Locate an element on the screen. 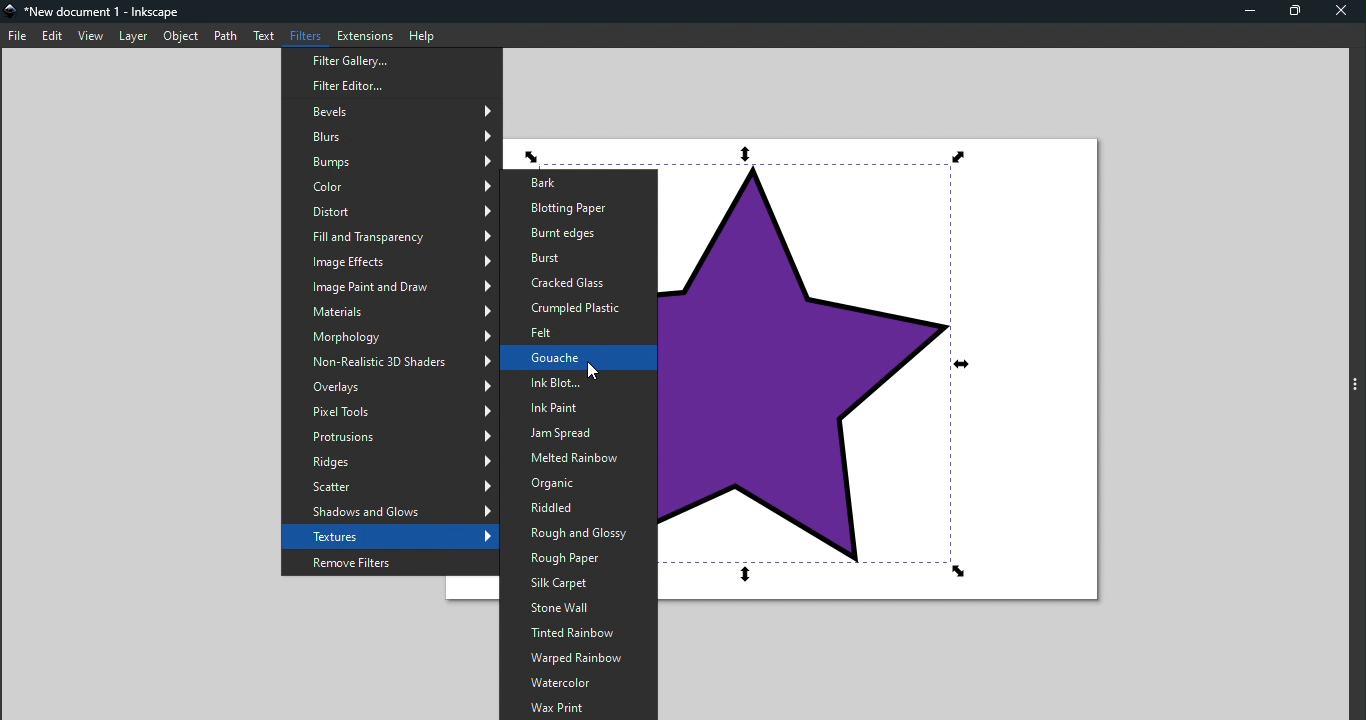 The width and height of the screenshot is (1366, 720). Gouache is located at coordinates (577, 357).